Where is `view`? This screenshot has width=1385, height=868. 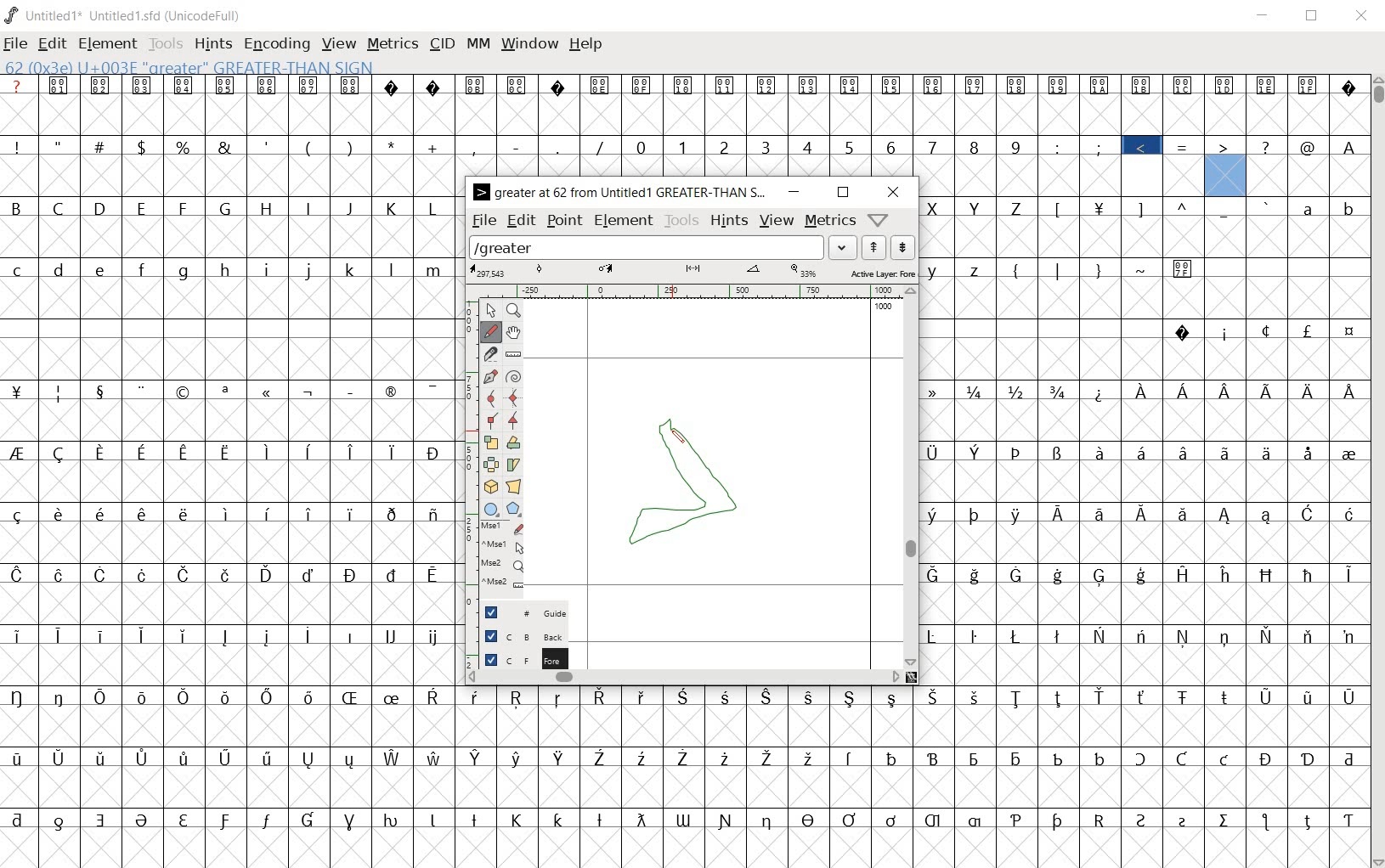 view is located at coordinates (777, 219).